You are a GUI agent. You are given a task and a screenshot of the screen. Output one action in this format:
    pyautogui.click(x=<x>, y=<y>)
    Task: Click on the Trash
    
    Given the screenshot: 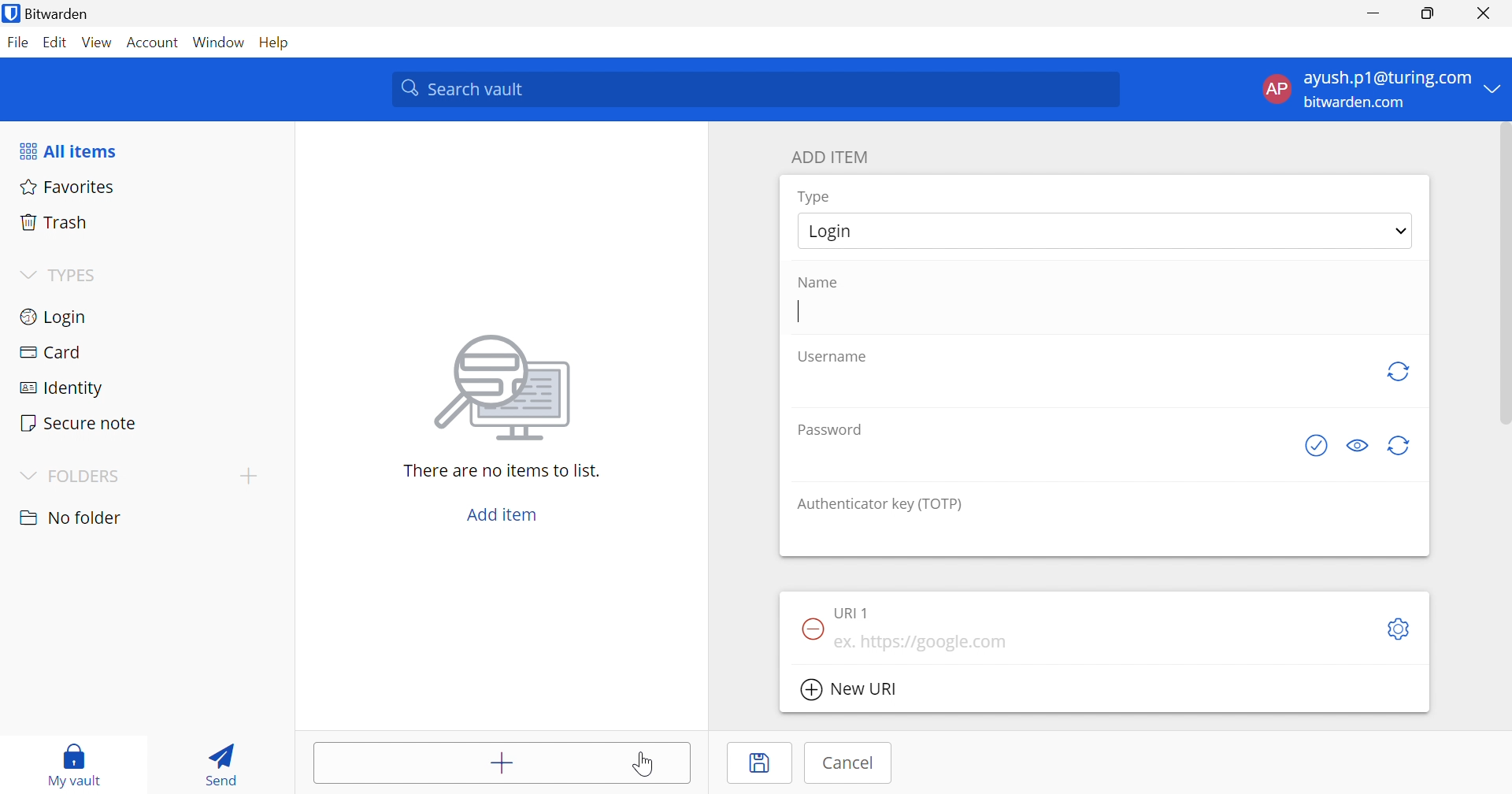 What is the action you would take?
    pyautogui.click(x=55, y=221)
    